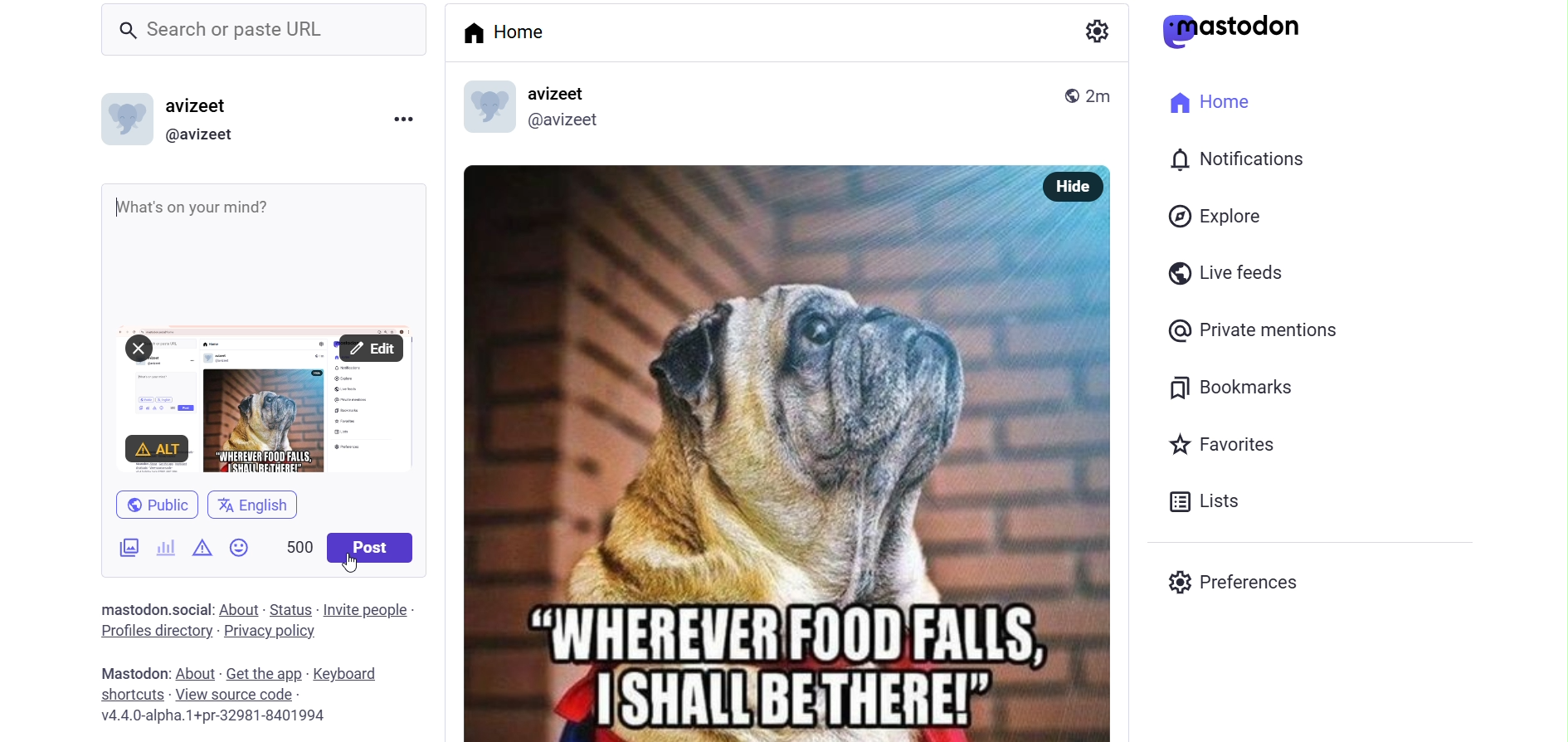  What do you see at coordinates (573, 93) in the screenshot?
I see `avizeet` at bounding box center [573, 93].